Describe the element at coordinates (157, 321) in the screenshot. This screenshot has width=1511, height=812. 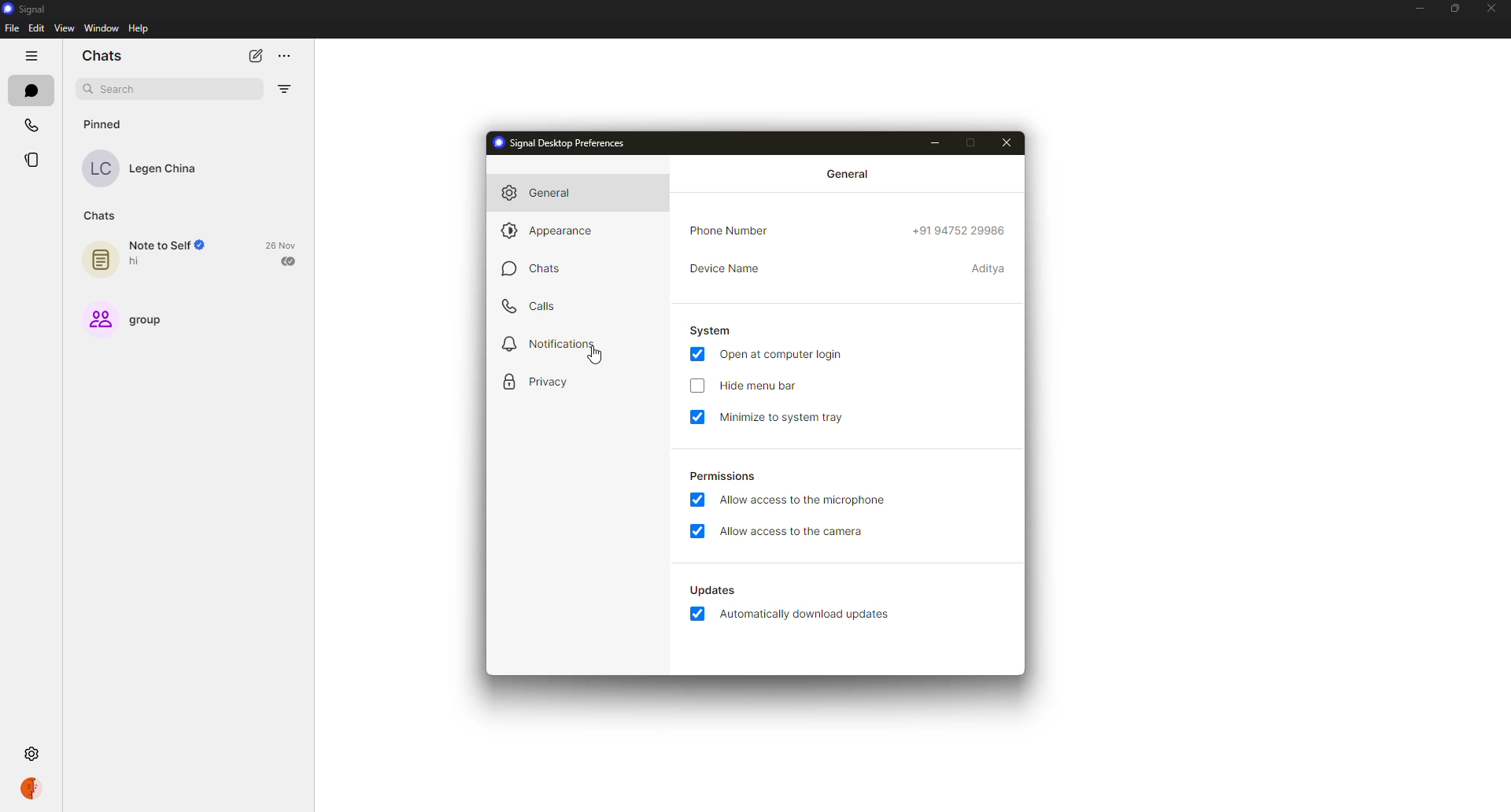
I see `group` at that location.